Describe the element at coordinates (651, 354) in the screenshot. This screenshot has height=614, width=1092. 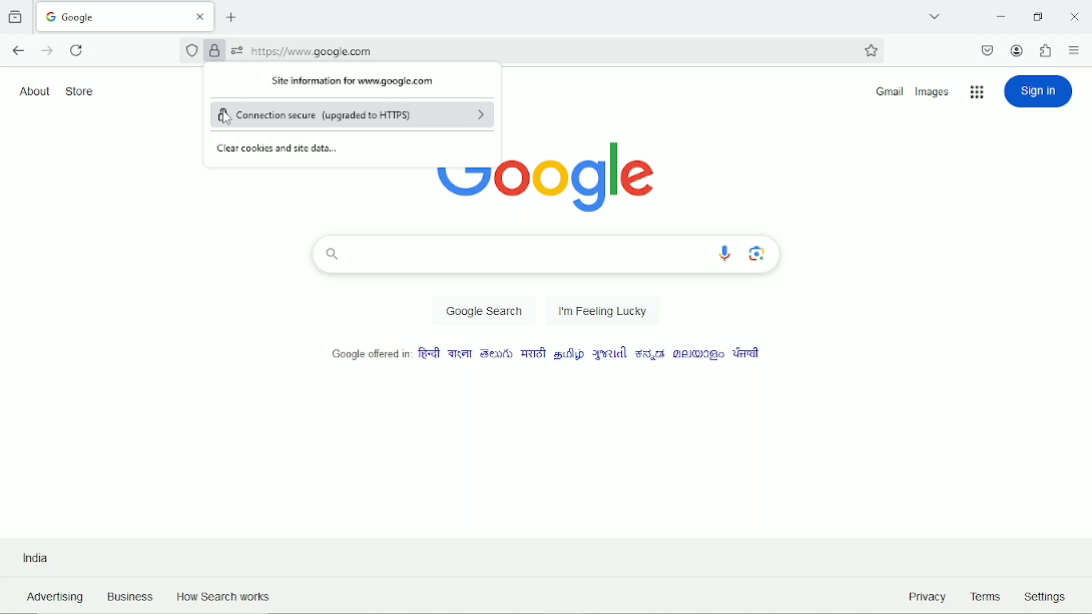
I see `language` at that location.